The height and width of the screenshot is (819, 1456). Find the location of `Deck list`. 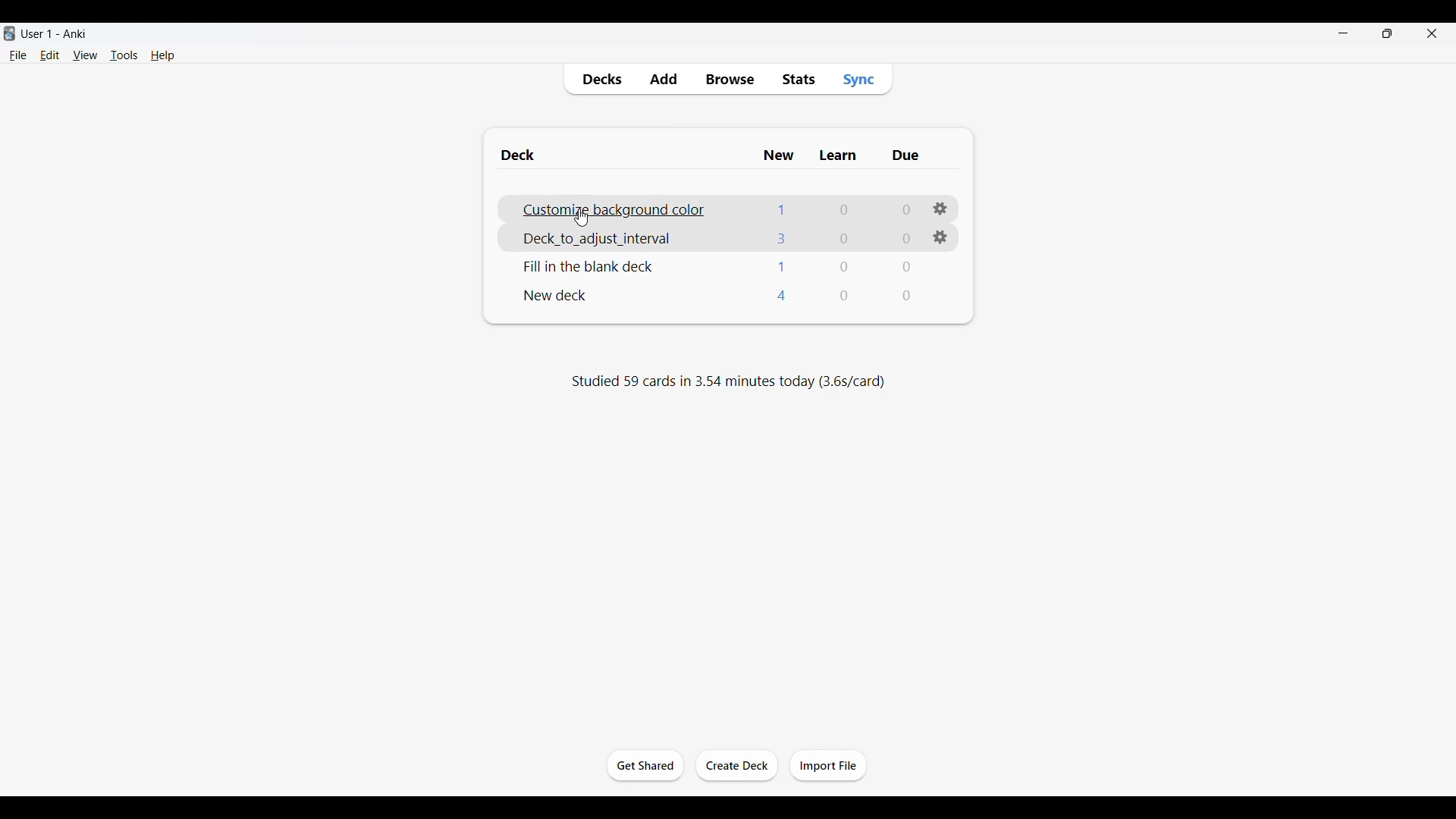

Deck list is located at coordinates (591, 266).